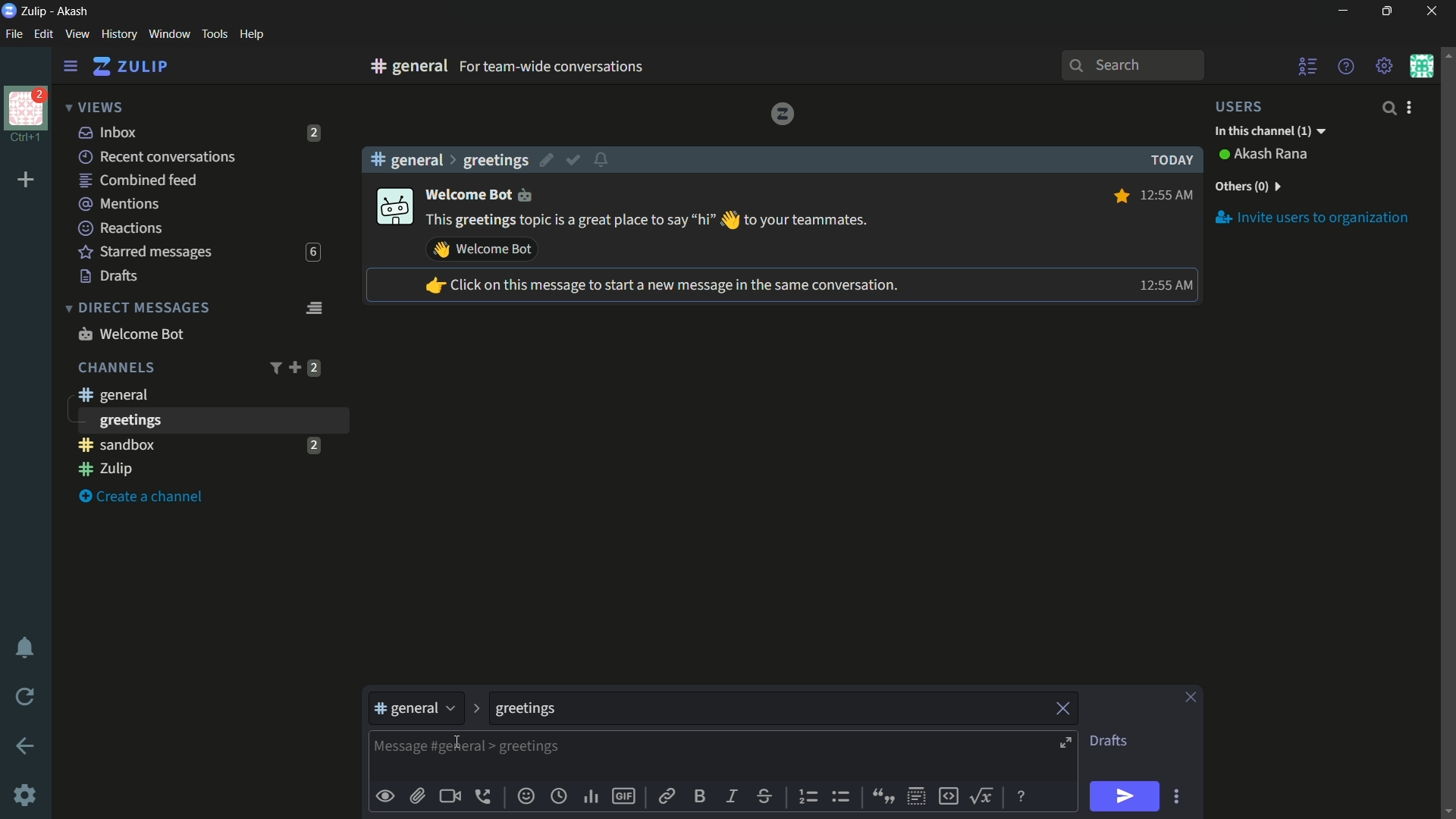 This screenshot has height=819, width=1456. What do you see at coordinates (406, 159) in the screenshot?
I see `# general` at bounding box center [406, 159].